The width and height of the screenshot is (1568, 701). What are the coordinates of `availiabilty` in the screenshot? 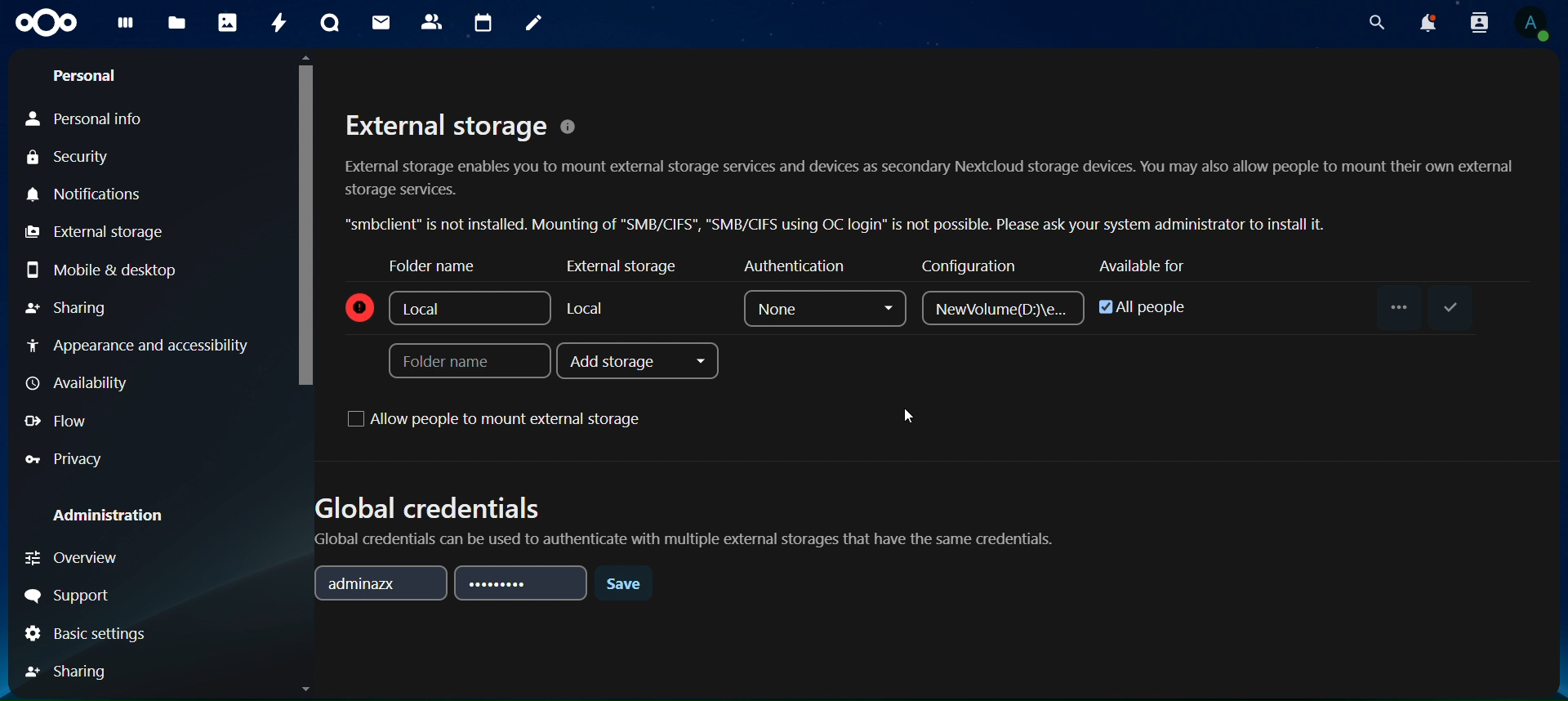 It's located at (82, 383).